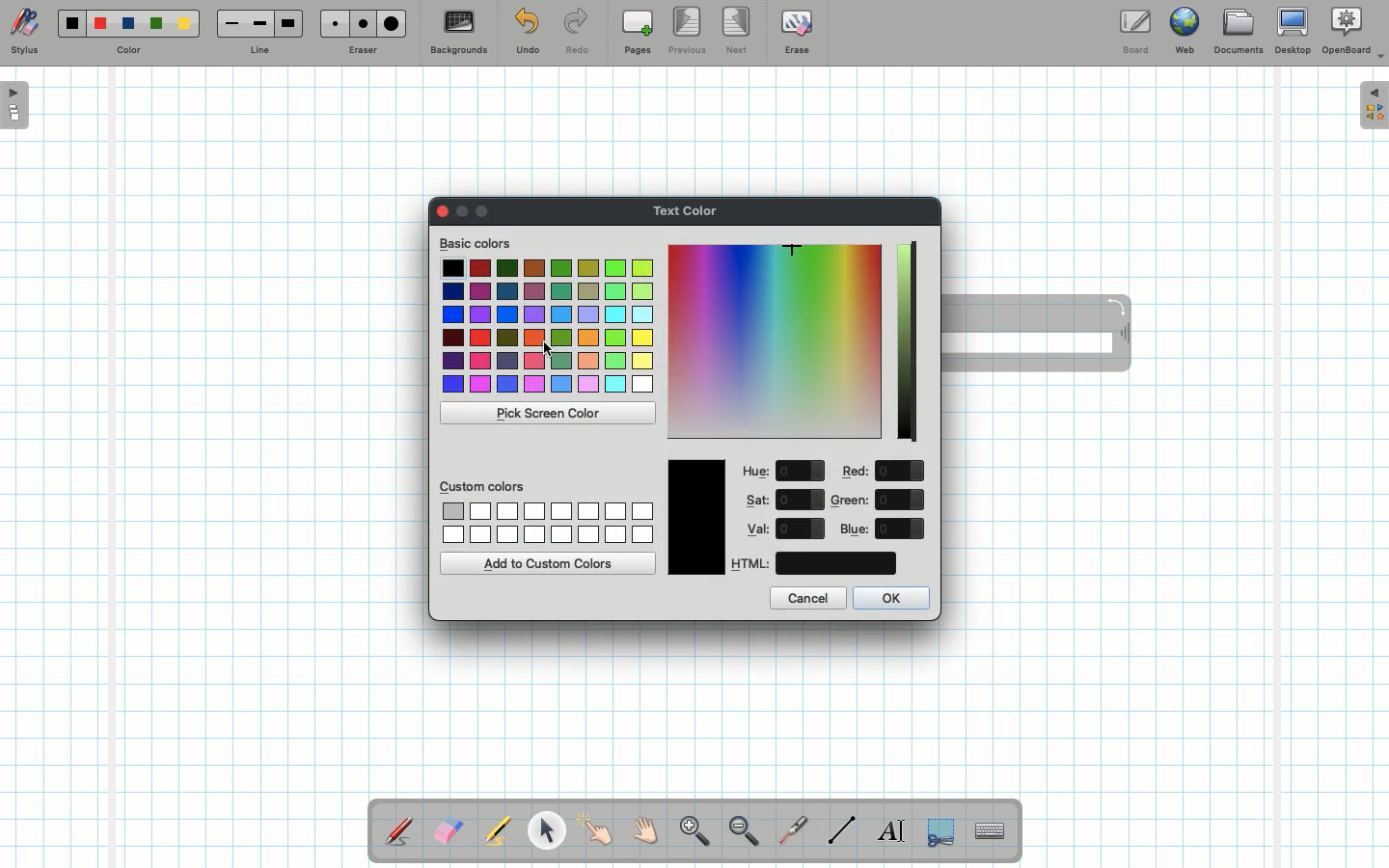 The height and width of the screenshot is (868, 1389). What do you see at coordinates (16, 104) in the screenshot?
I see `Open pages` at bounding box center [16, 104].